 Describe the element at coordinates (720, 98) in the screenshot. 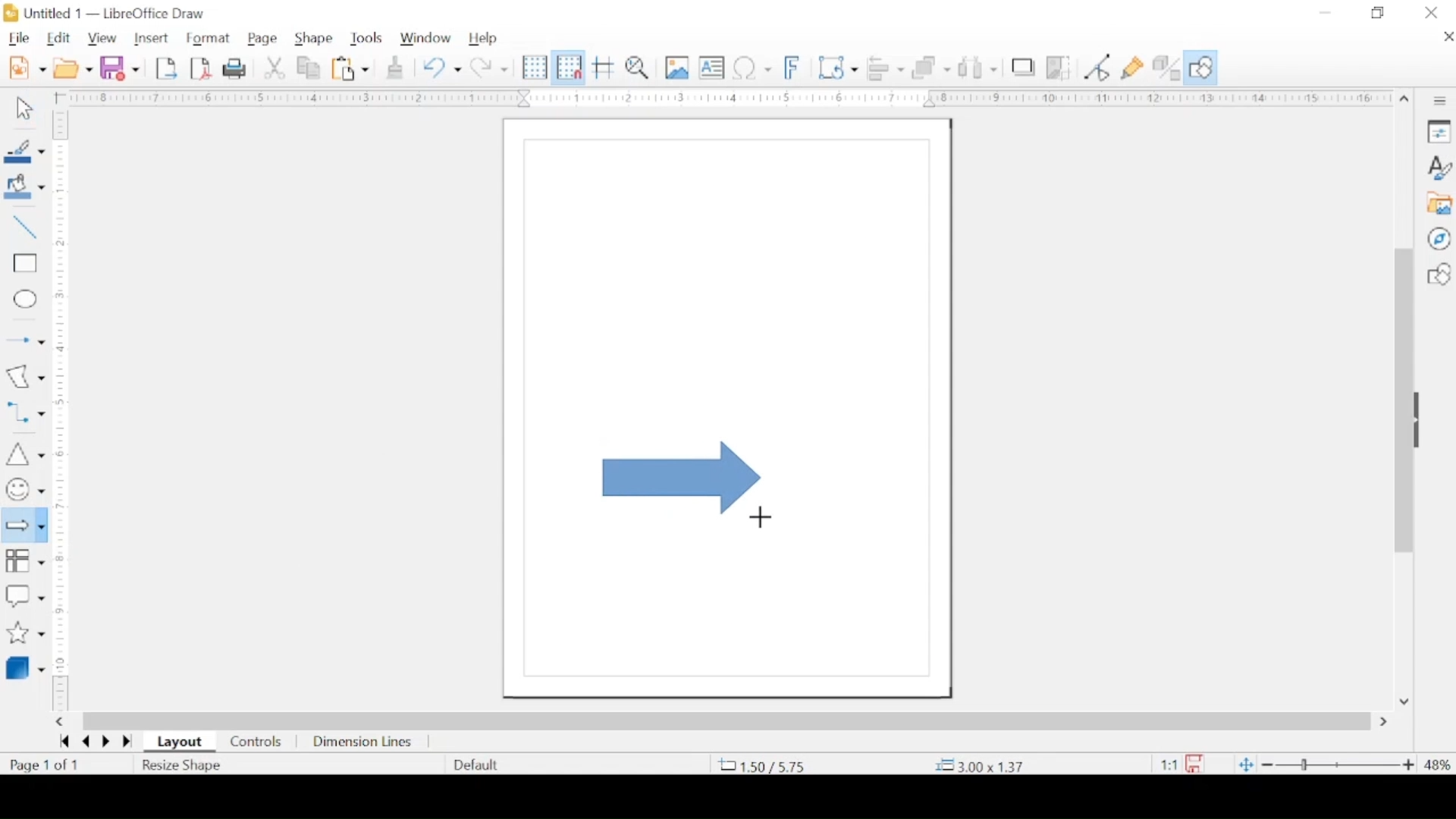

I see `margin` at that location.